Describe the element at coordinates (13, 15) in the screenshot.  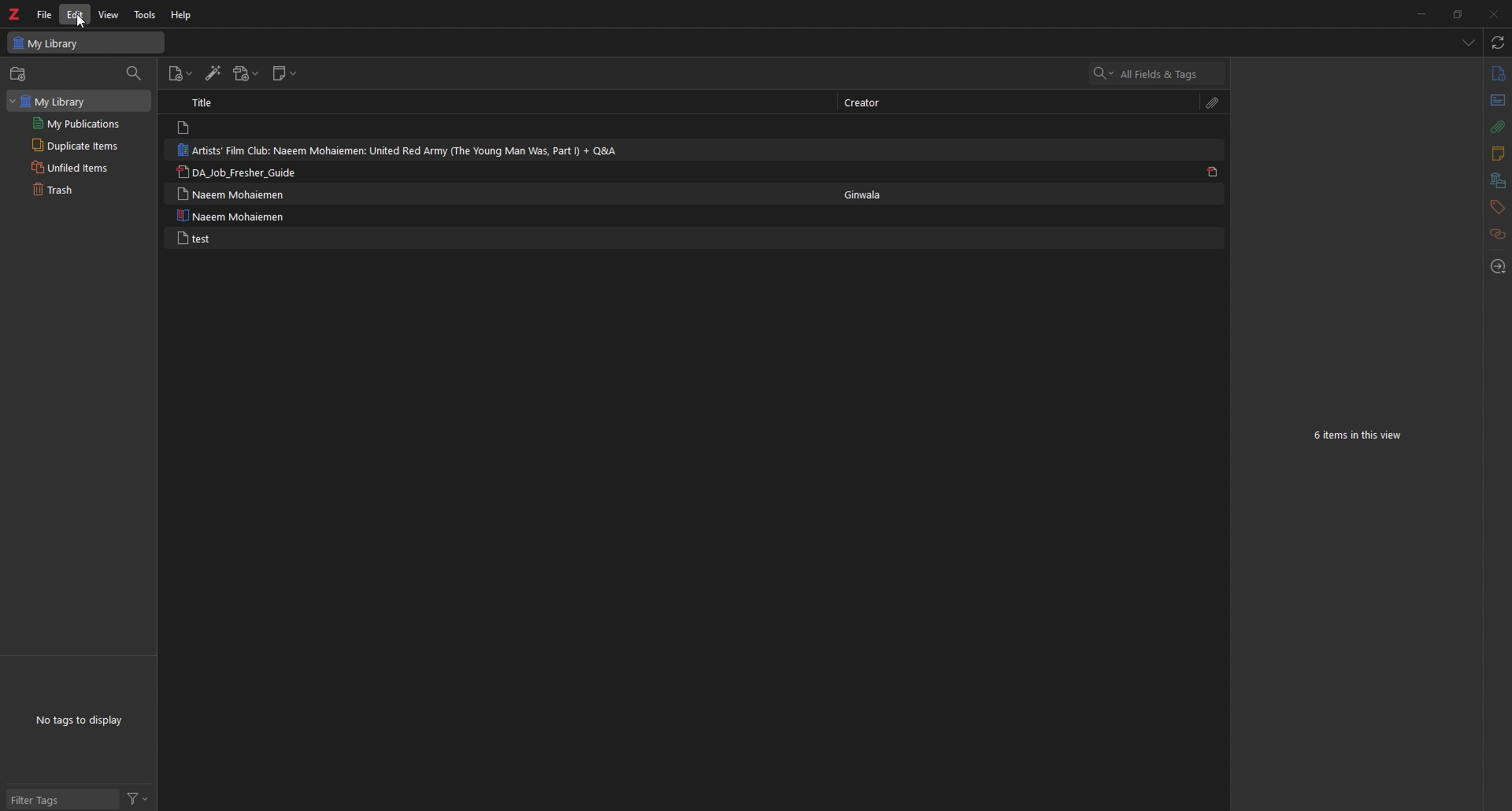
I see `zotero logo` at that location.